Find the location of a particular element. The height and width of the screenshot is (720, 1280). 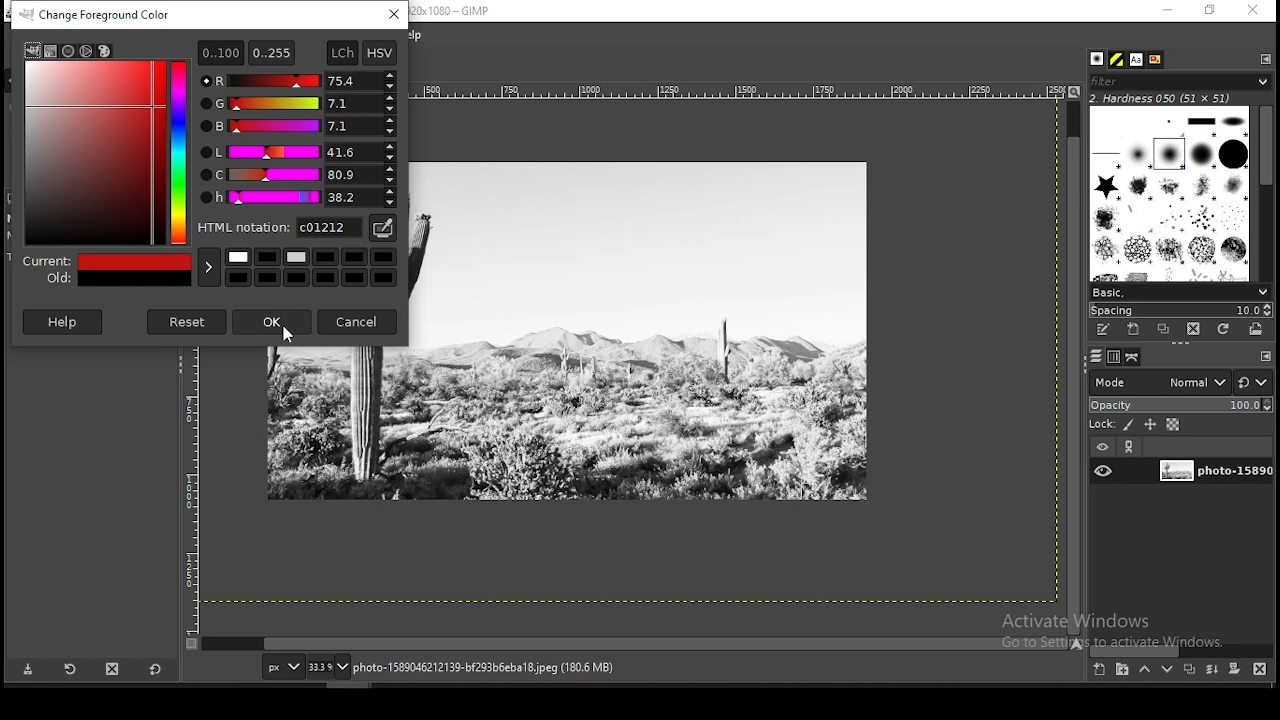

layers is located at coordinates (1096, 357).